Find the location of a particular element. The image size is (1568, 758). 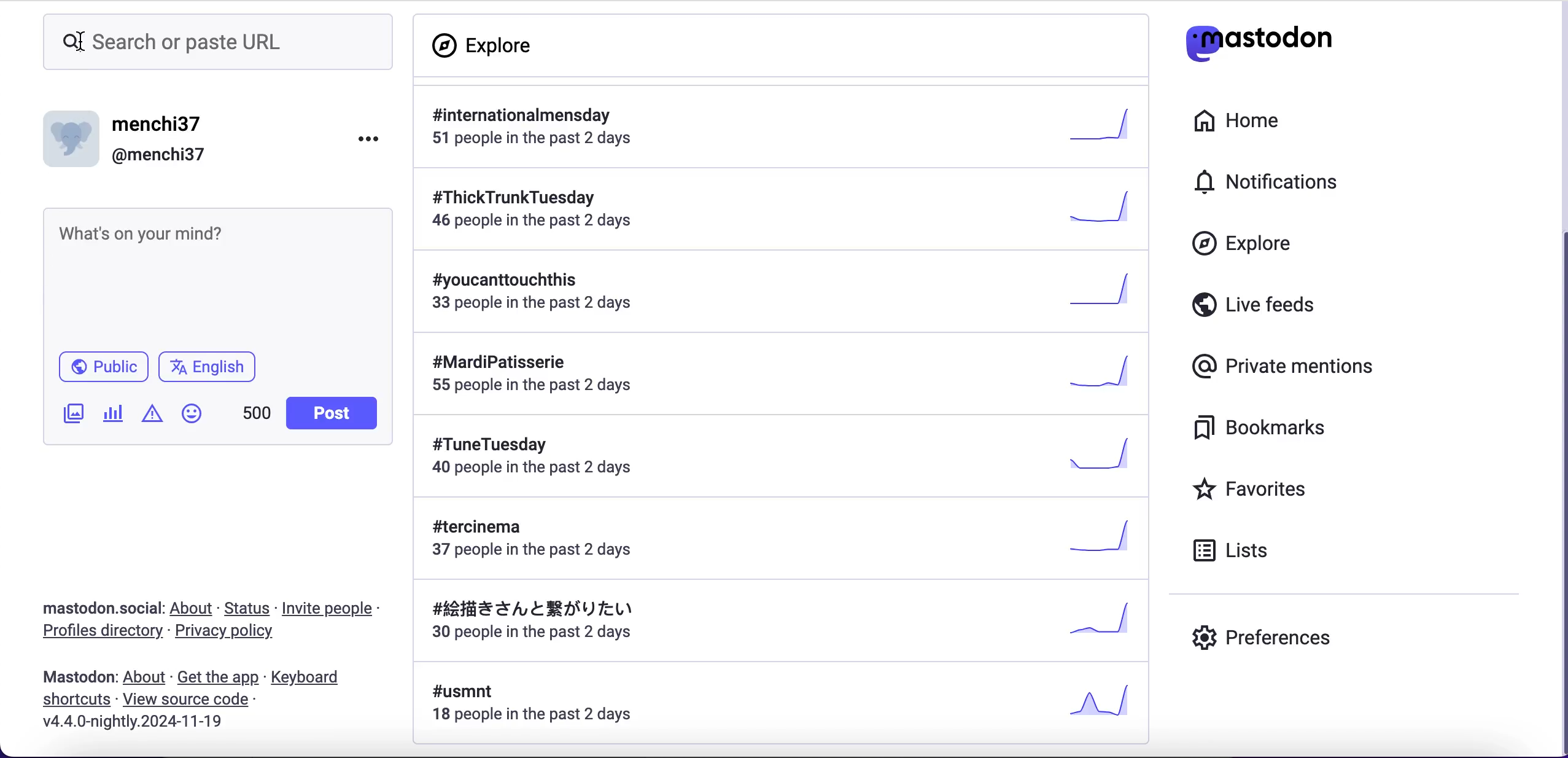

user is located at coordinates (128, 137).